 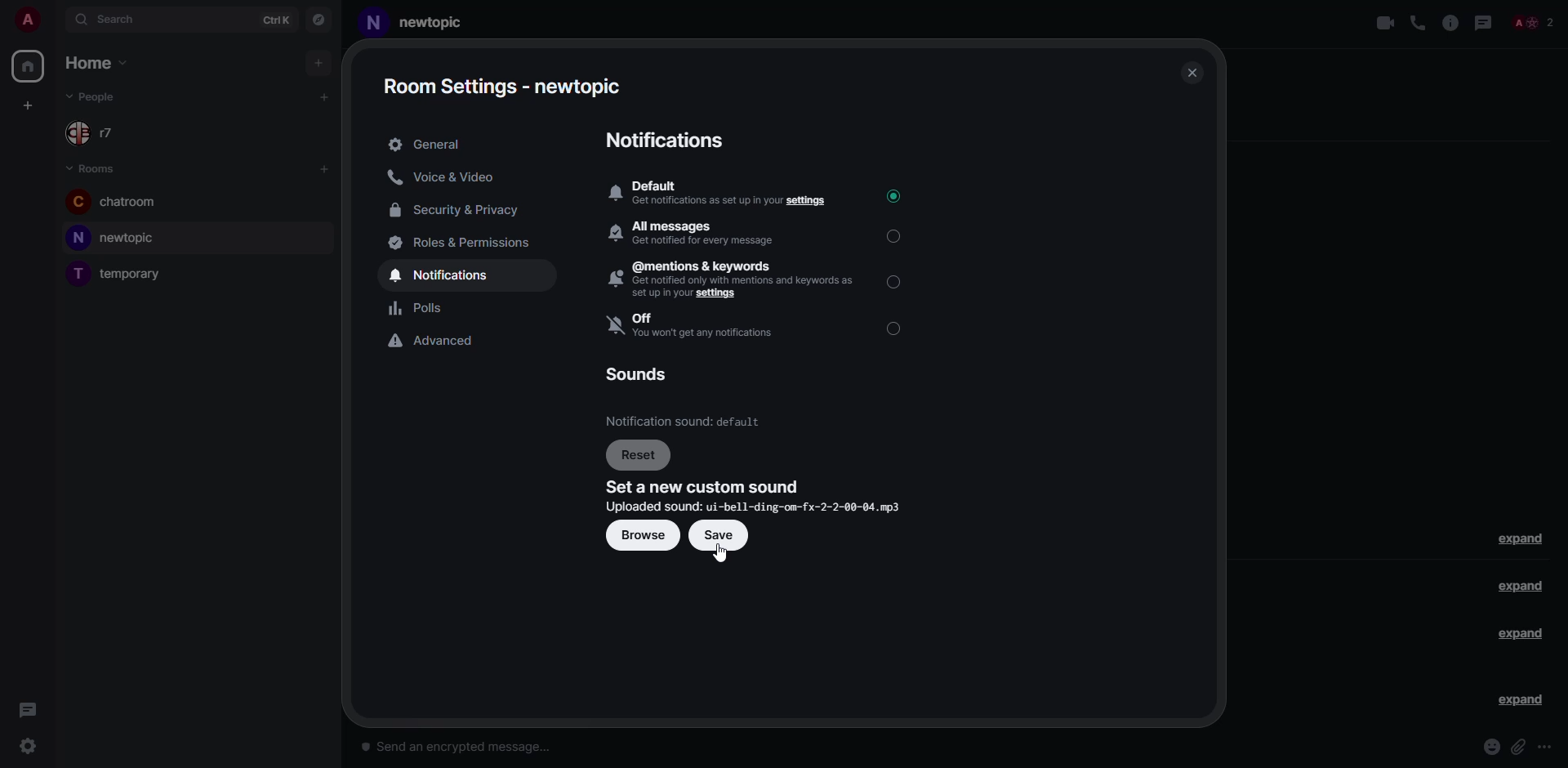 What do you see at coordinates (417, 25) in the screenshot?
I see `room` at bounding box center [417, 25].